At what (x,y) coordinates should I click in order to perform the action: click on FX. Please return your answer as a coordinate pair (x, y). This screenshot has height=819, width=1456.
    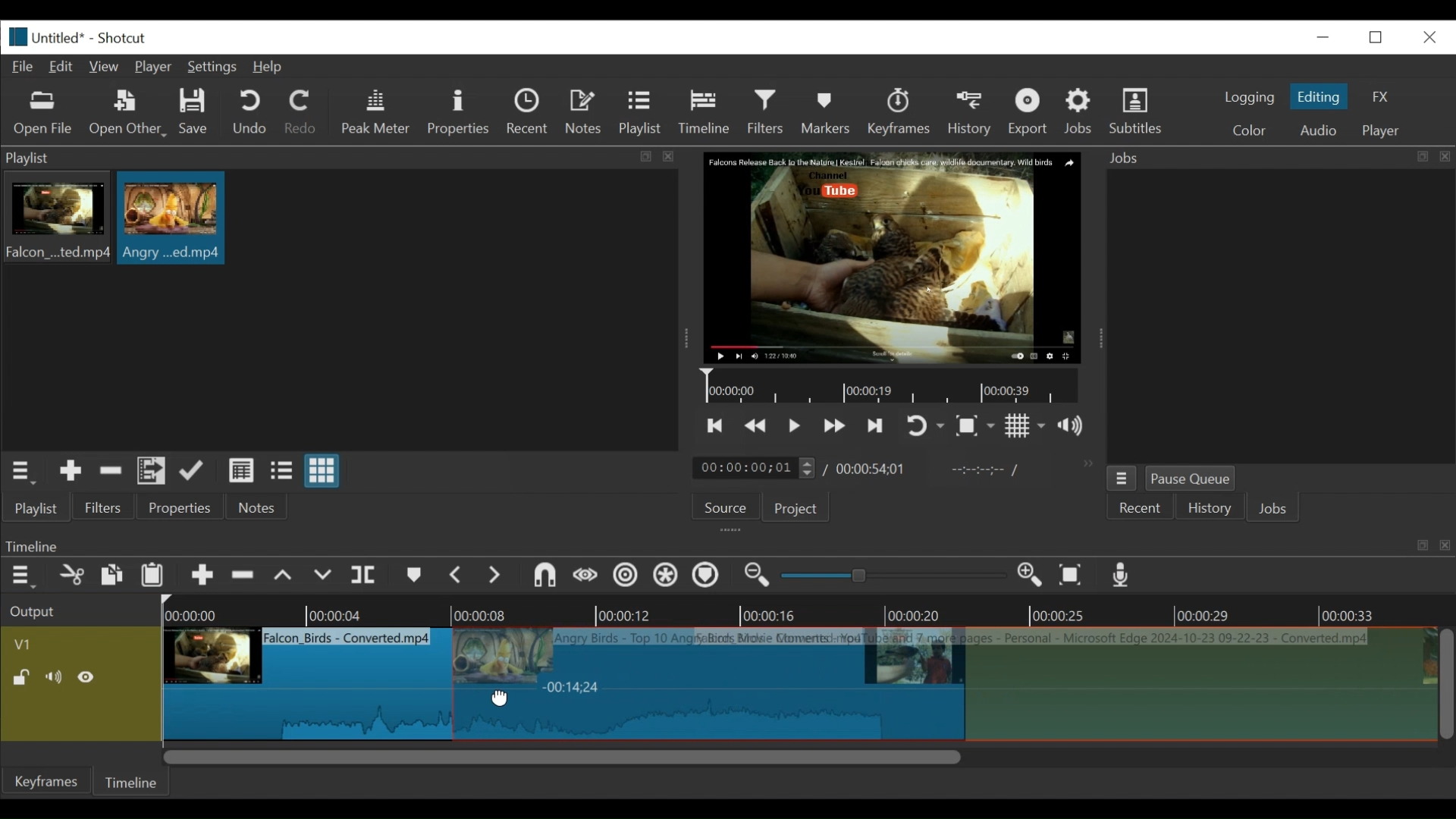
    Looking at the image, I should click on (1381, 97).